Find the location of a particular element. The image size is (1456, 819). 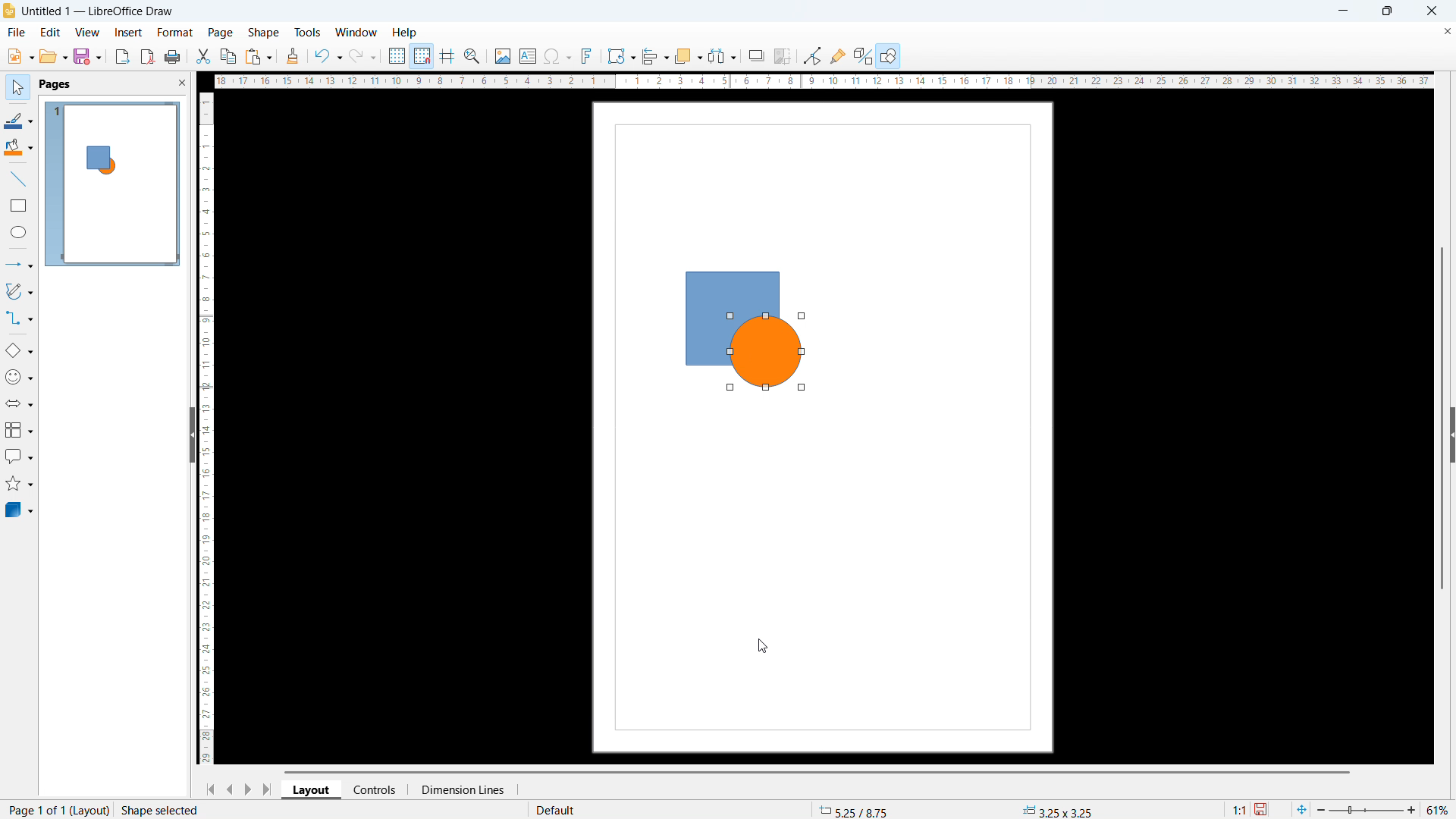

minimise  is located at coordinates (1342, 11).